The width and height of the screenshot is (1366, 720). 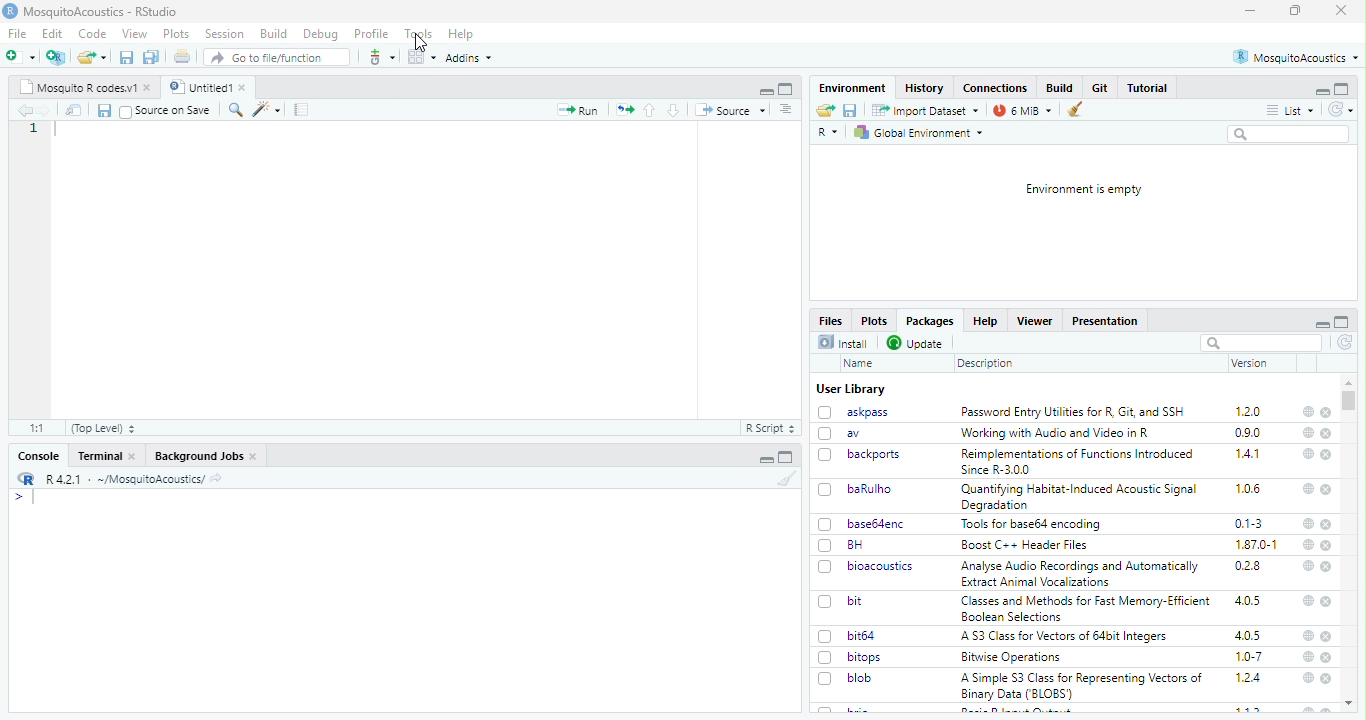 What do you see at coordinates (767, 460) in the screenshot?
I see `minimise` at bounding box center [767, 460].